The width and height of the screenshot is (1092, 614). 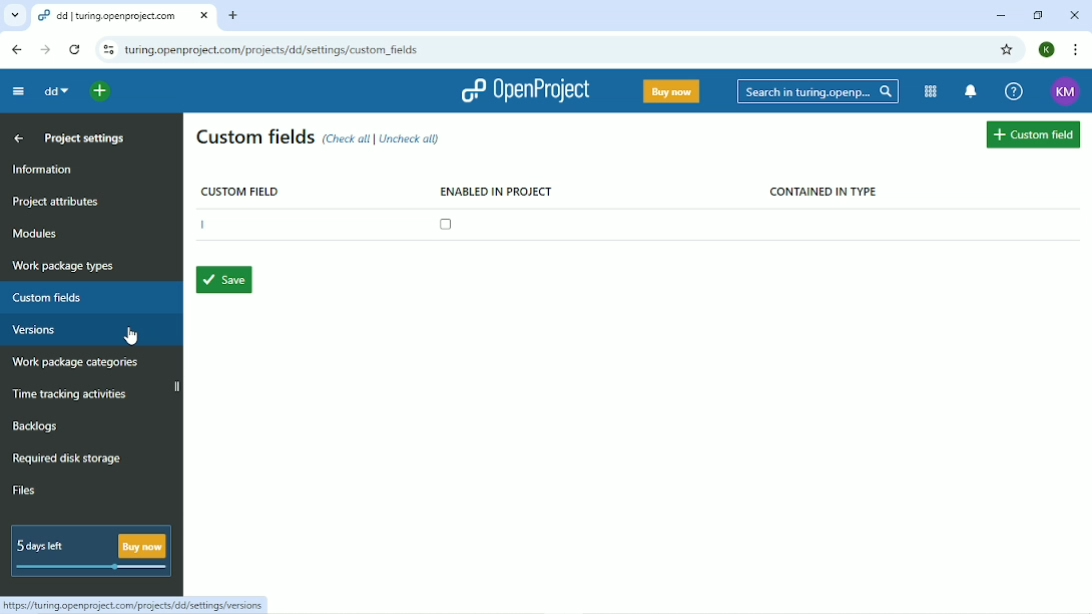 What do you see at coordinates (51, 297) in the screenshot?
I see `Custom fields` at bounding box center [51, 297].